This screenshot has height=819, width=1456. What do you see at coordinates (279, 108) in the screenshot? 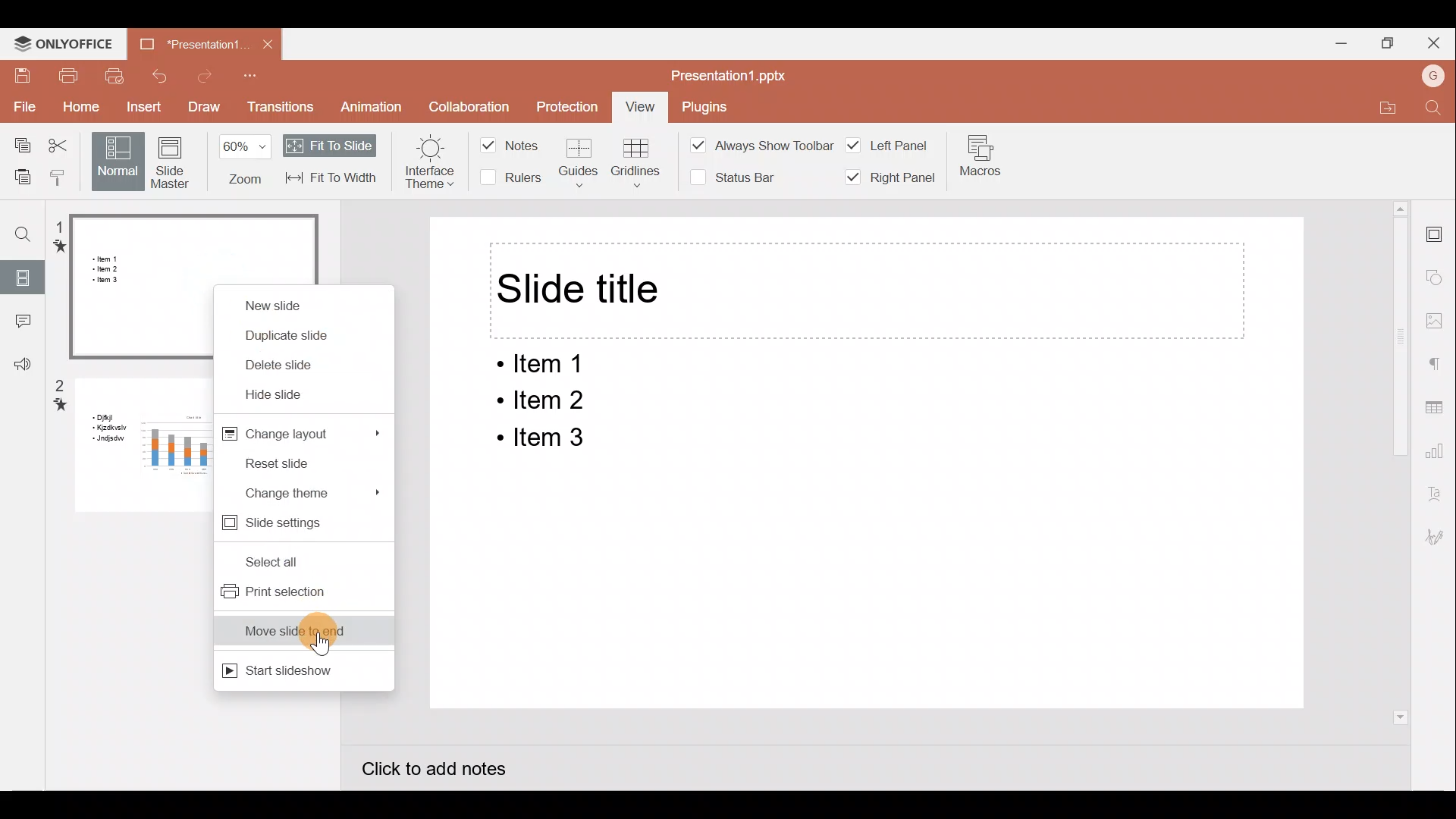
I see `Transitions` at bounding box center [279, 108].